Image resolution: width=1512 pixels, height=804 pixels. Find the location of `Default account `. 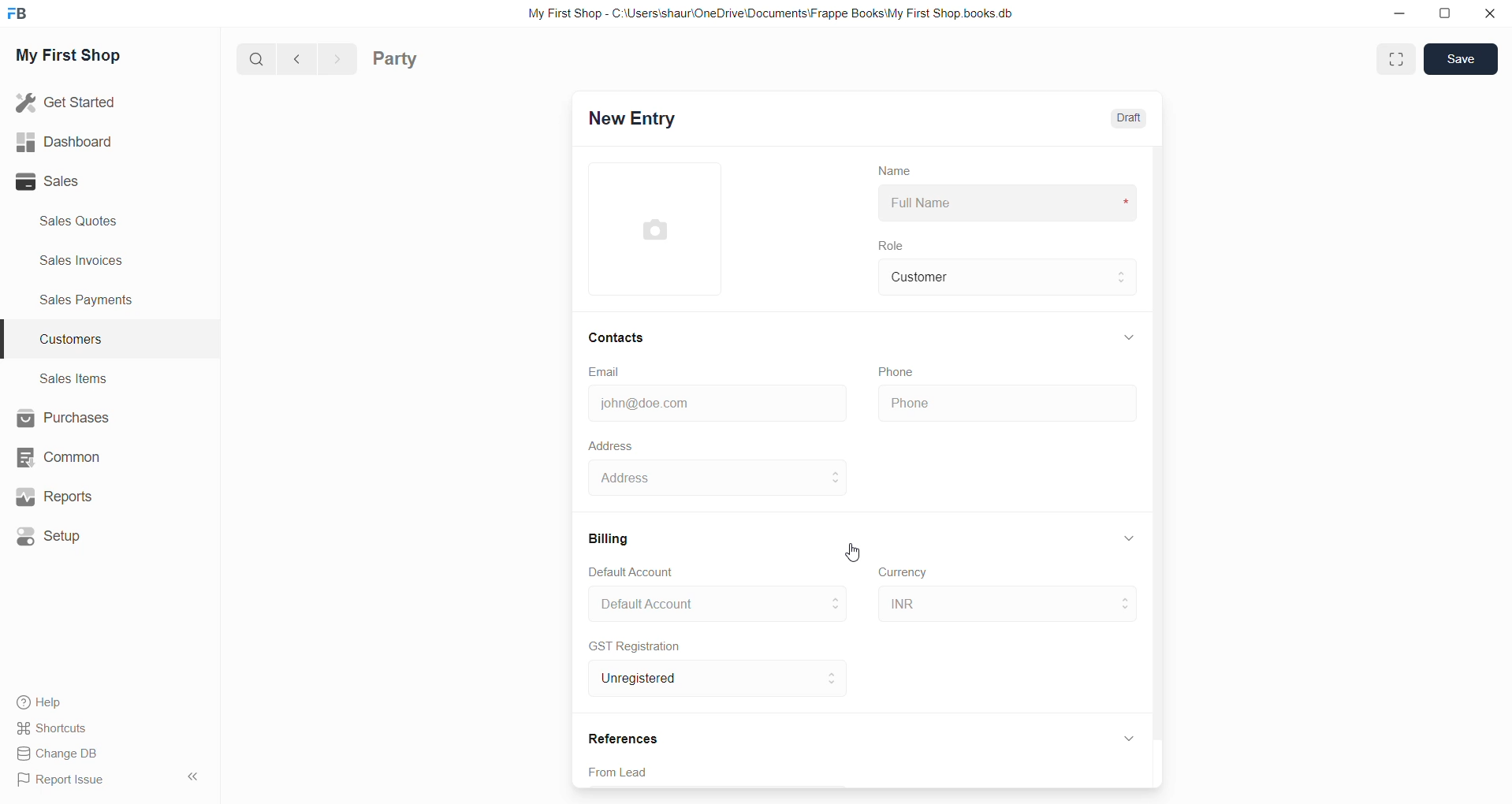

Default account  is located at coordinates (693, 602).